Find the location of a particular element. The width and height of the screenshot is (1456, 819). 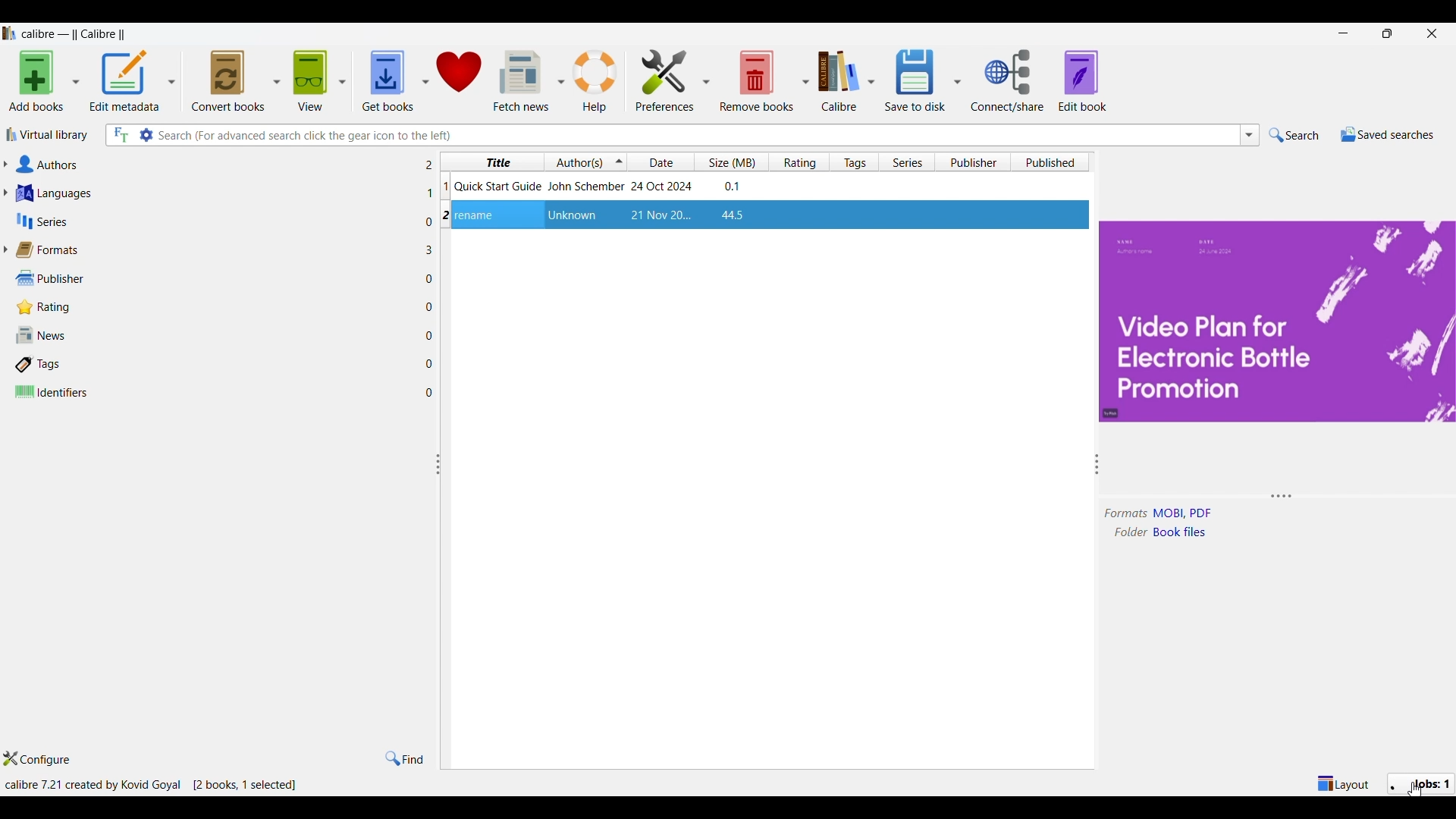

Change height of panel attached to this line is located at coordinates (1263, 497).